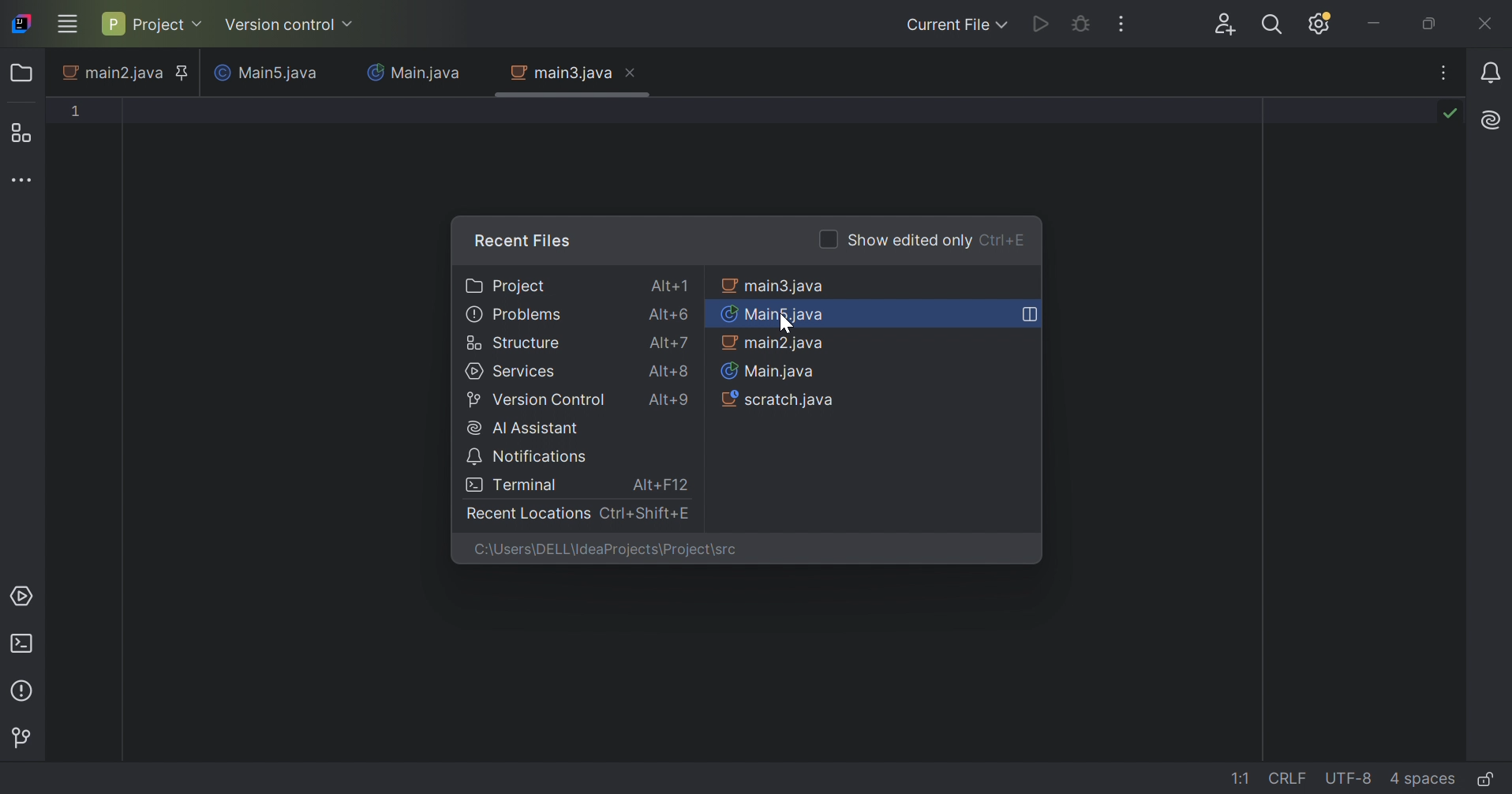 This screenshot has width=1512, height=794. Describe the element at coordinates (1487, 780) in the screenshot. I see `Make file read-only` at that location.